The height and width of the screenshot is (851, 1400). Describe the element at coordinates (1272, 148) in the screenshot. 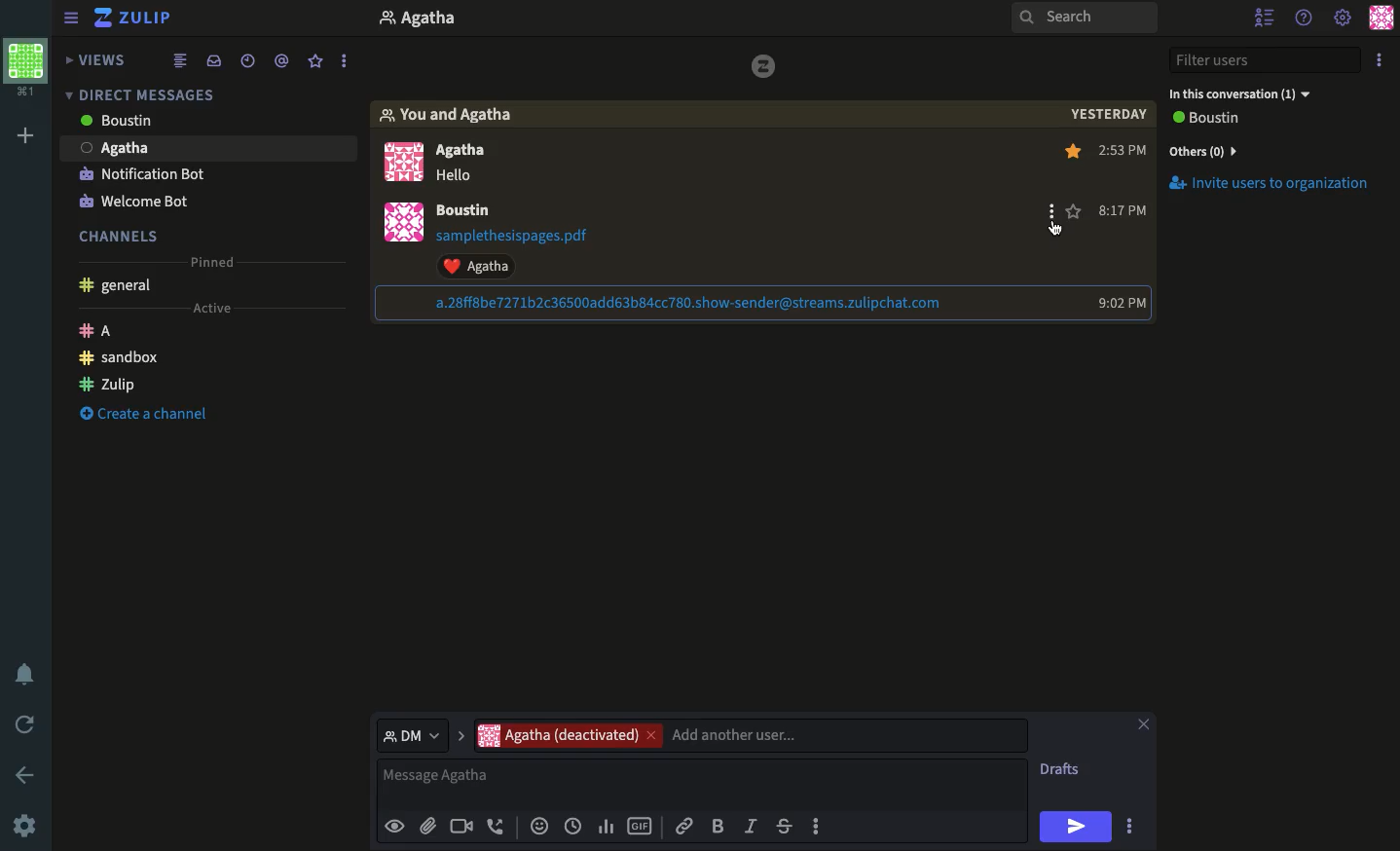

I see `Invite users to org.` at that location.